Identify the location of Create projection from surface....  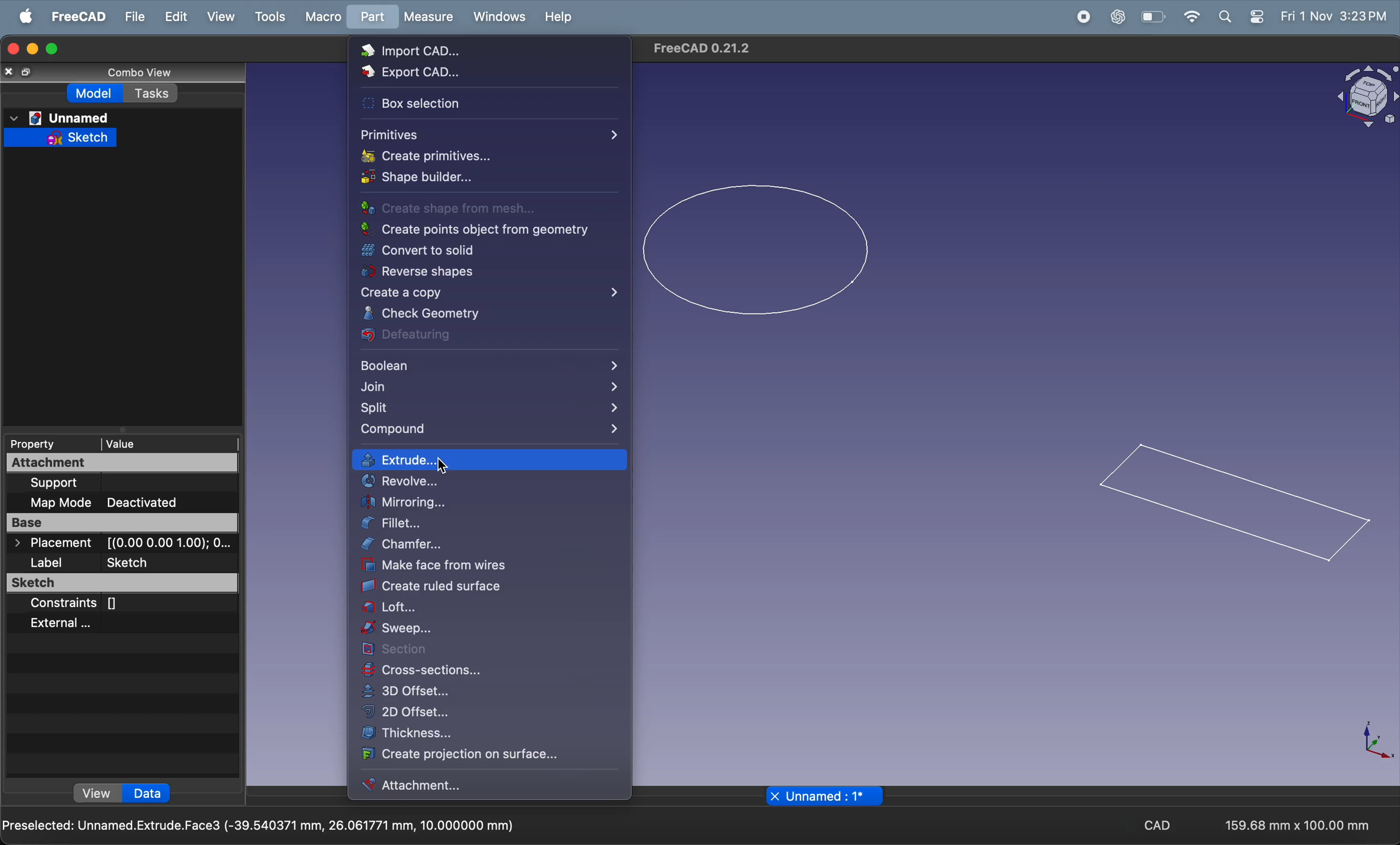
(468, 756).